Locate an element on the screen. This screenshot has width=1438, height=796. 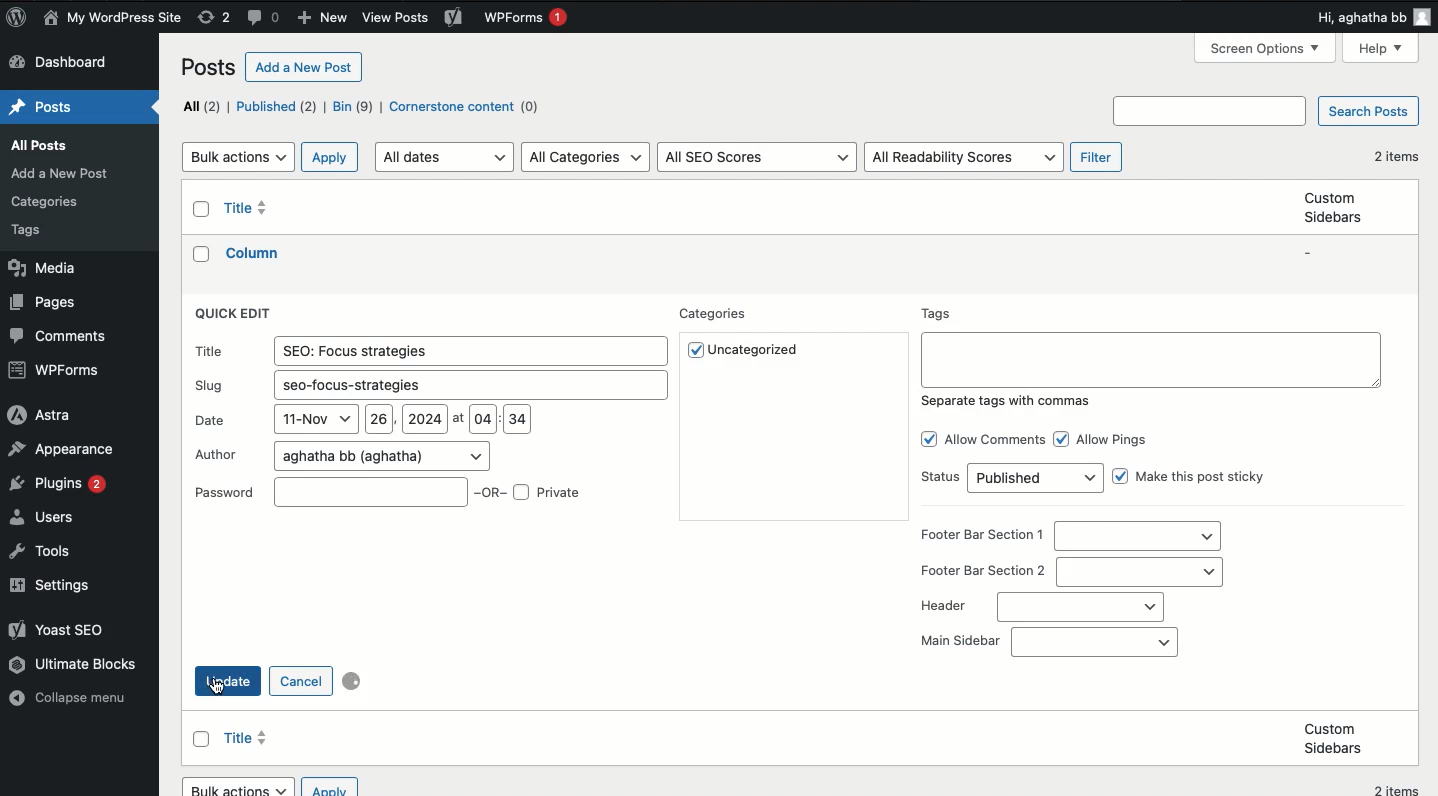
Slug is located at coordinates (467, 383).